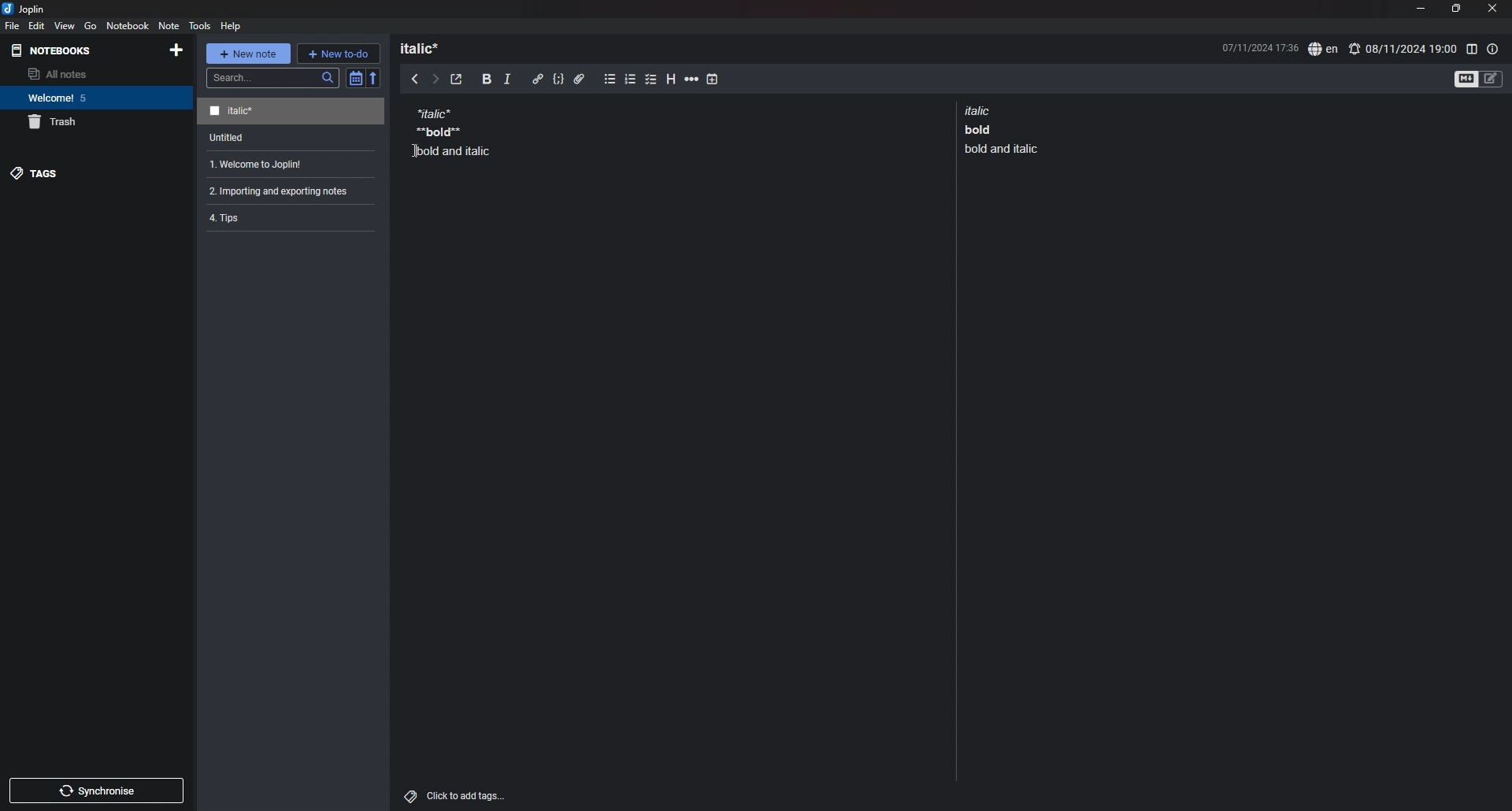  I want to click on date and time, so click(1259, 46).